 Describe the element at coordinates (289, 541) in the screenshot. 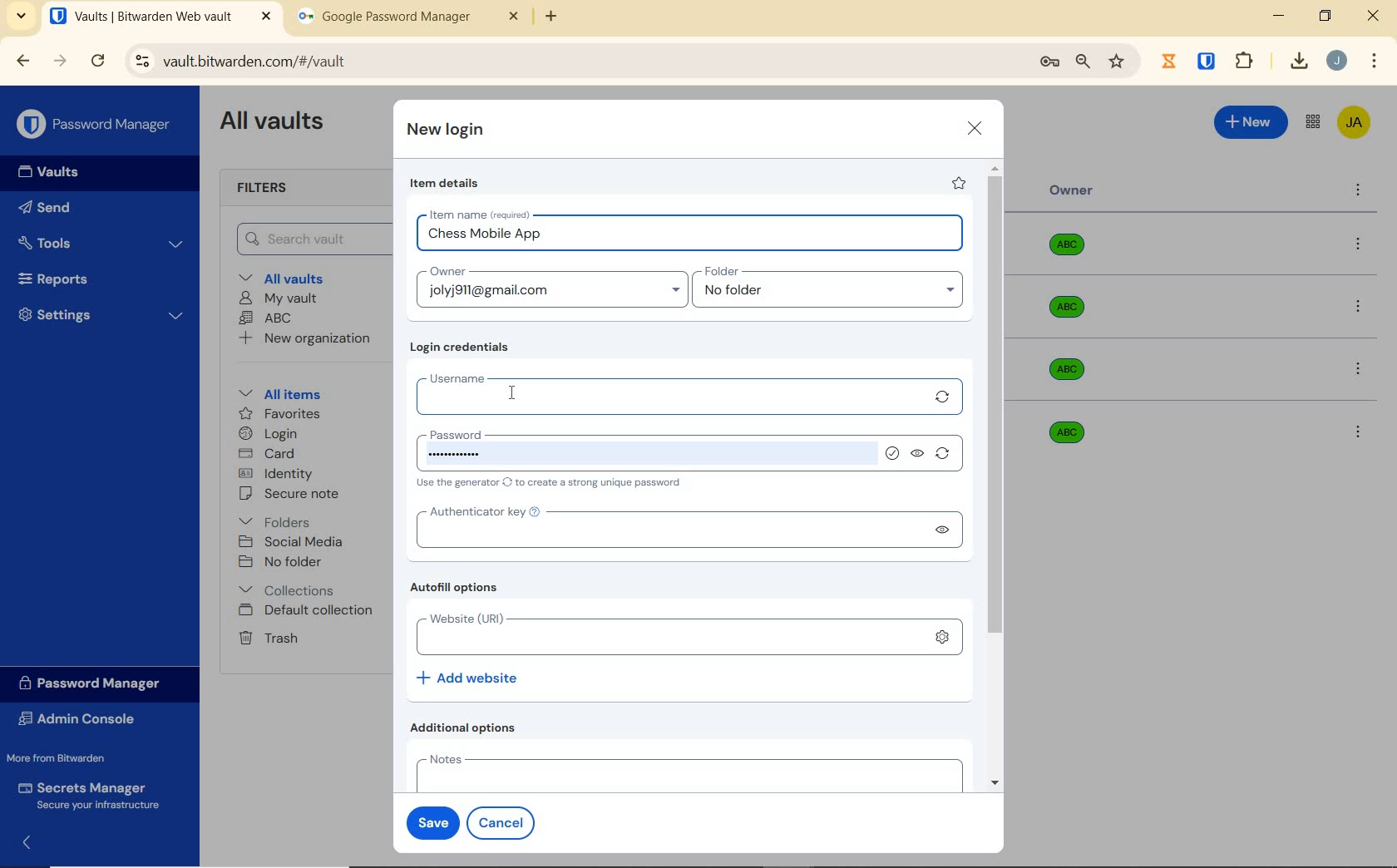

I see `Social media` at that location.